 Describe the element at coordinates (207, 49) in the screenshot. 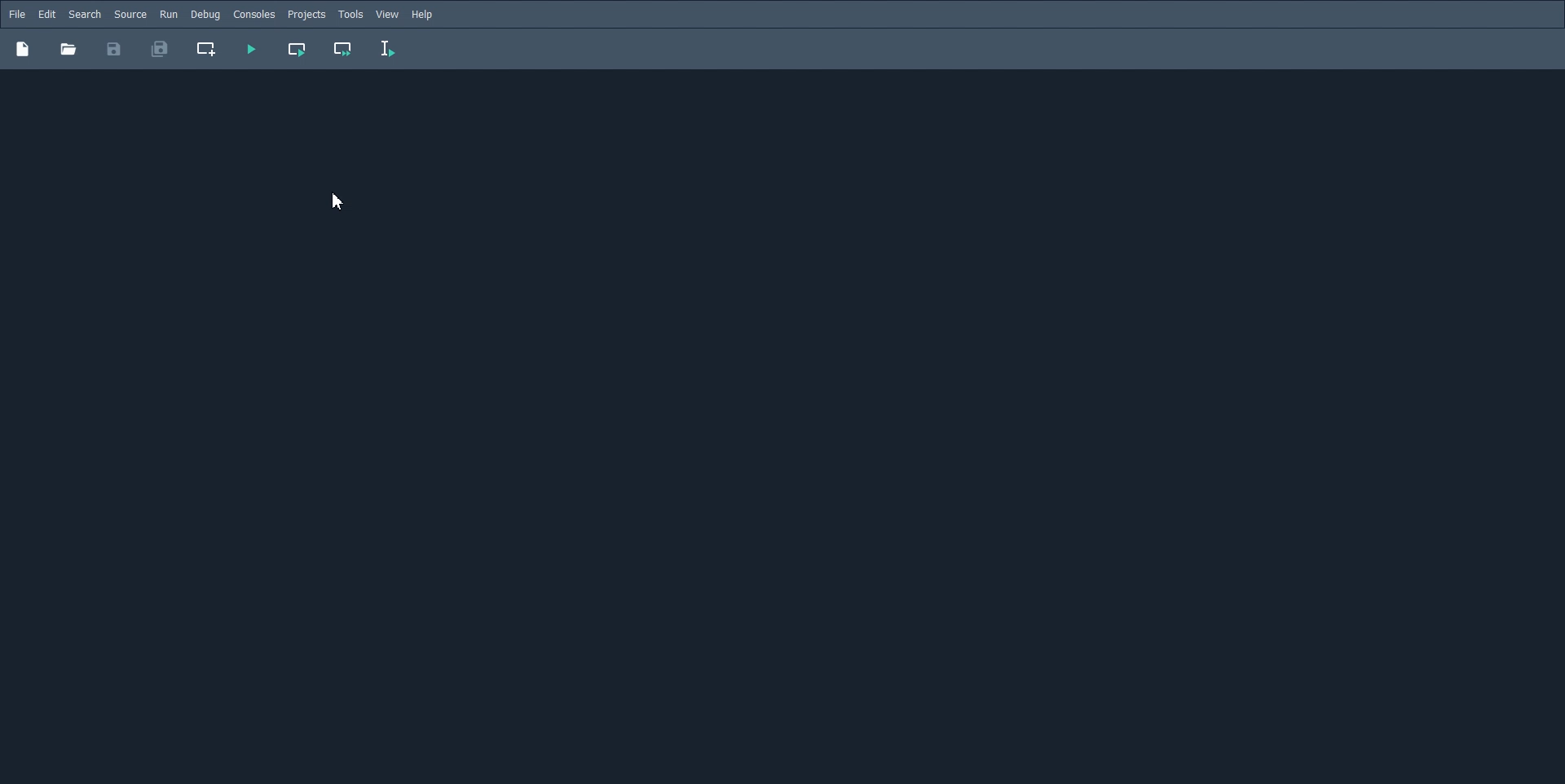

I see `Create new cell` at that location.